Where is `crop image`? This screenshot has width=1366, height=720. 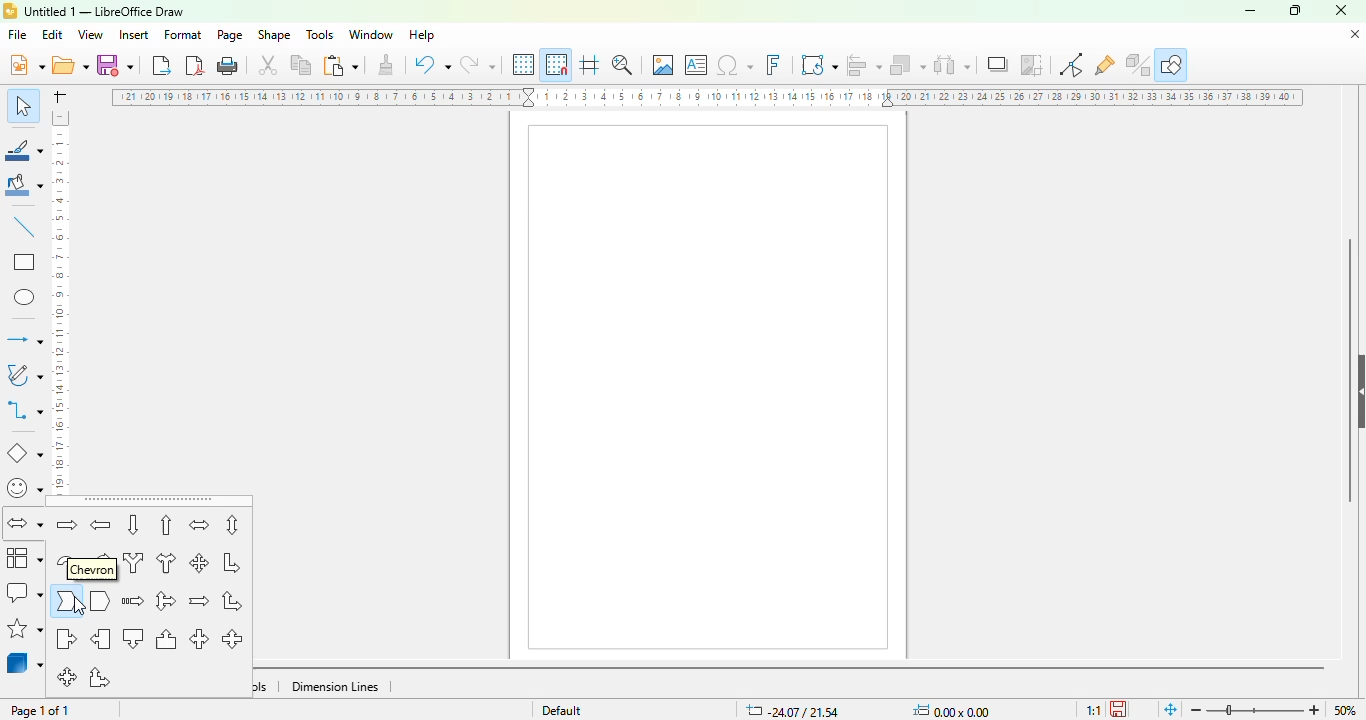
crop image is located at coordinates (1031, 64).